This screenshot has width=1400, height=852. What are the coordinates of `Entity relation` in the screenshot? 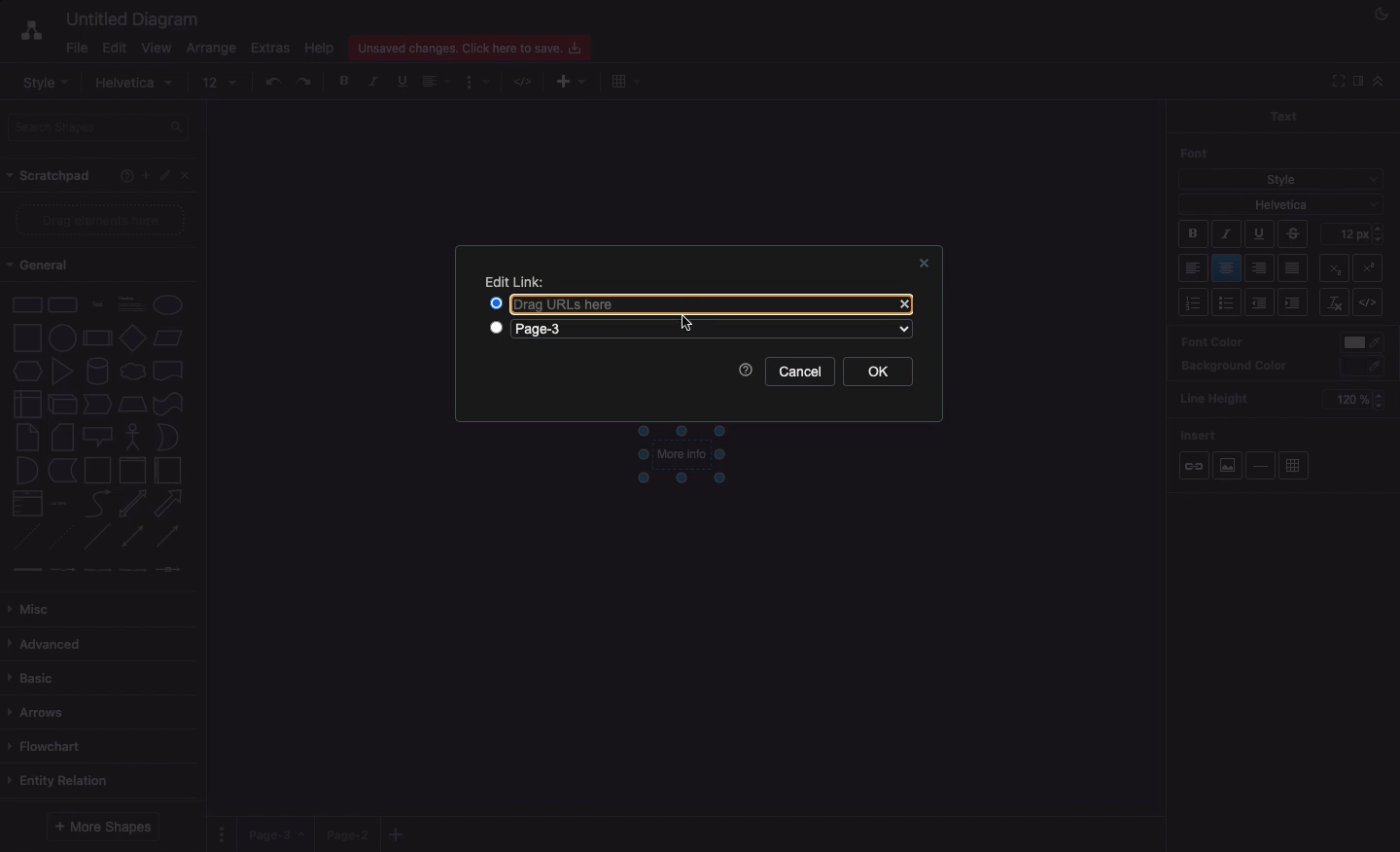 It's located at (61, 782).